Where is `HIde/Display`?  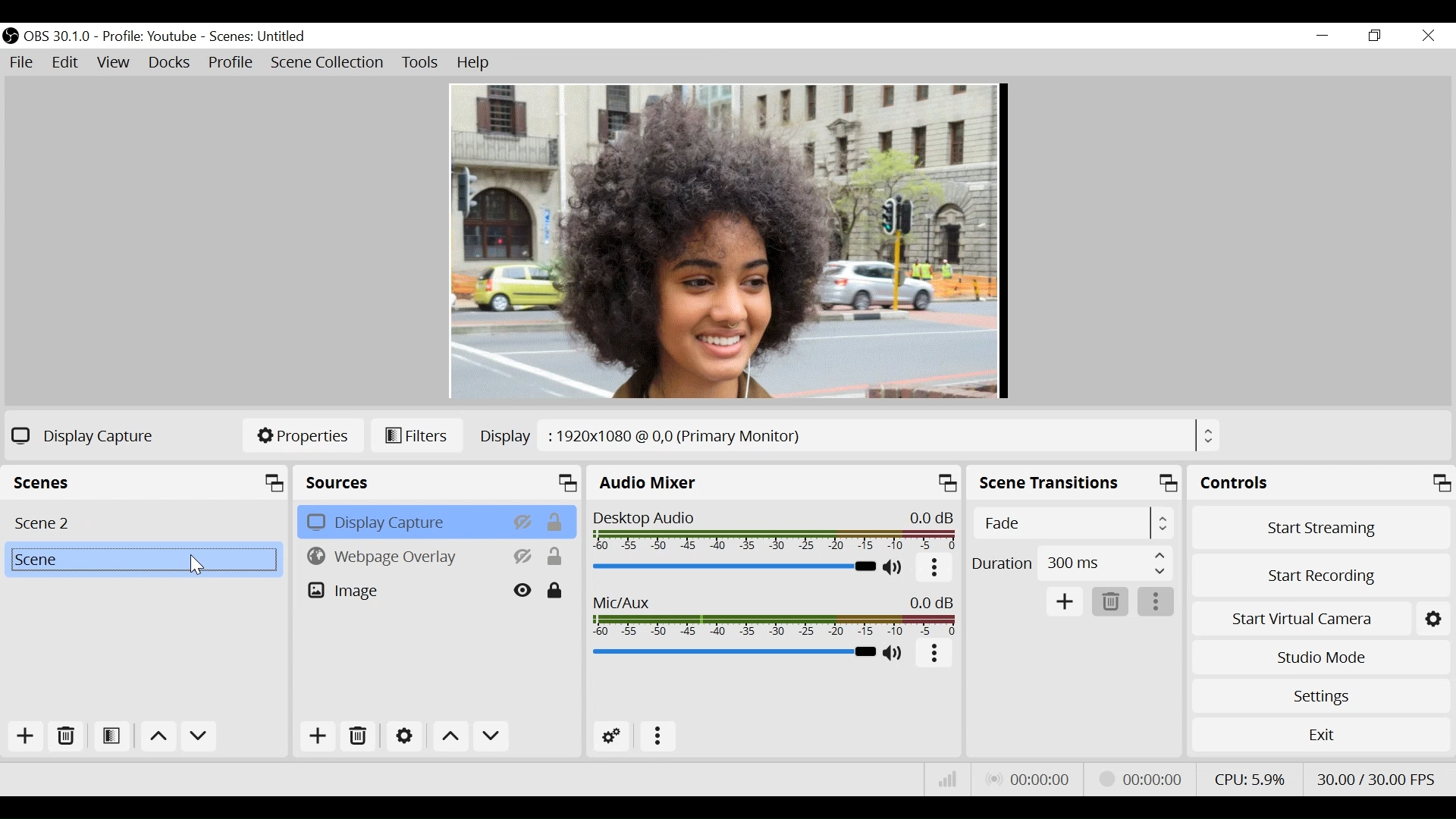 HIde/Display is located at coordinates (524, 556).